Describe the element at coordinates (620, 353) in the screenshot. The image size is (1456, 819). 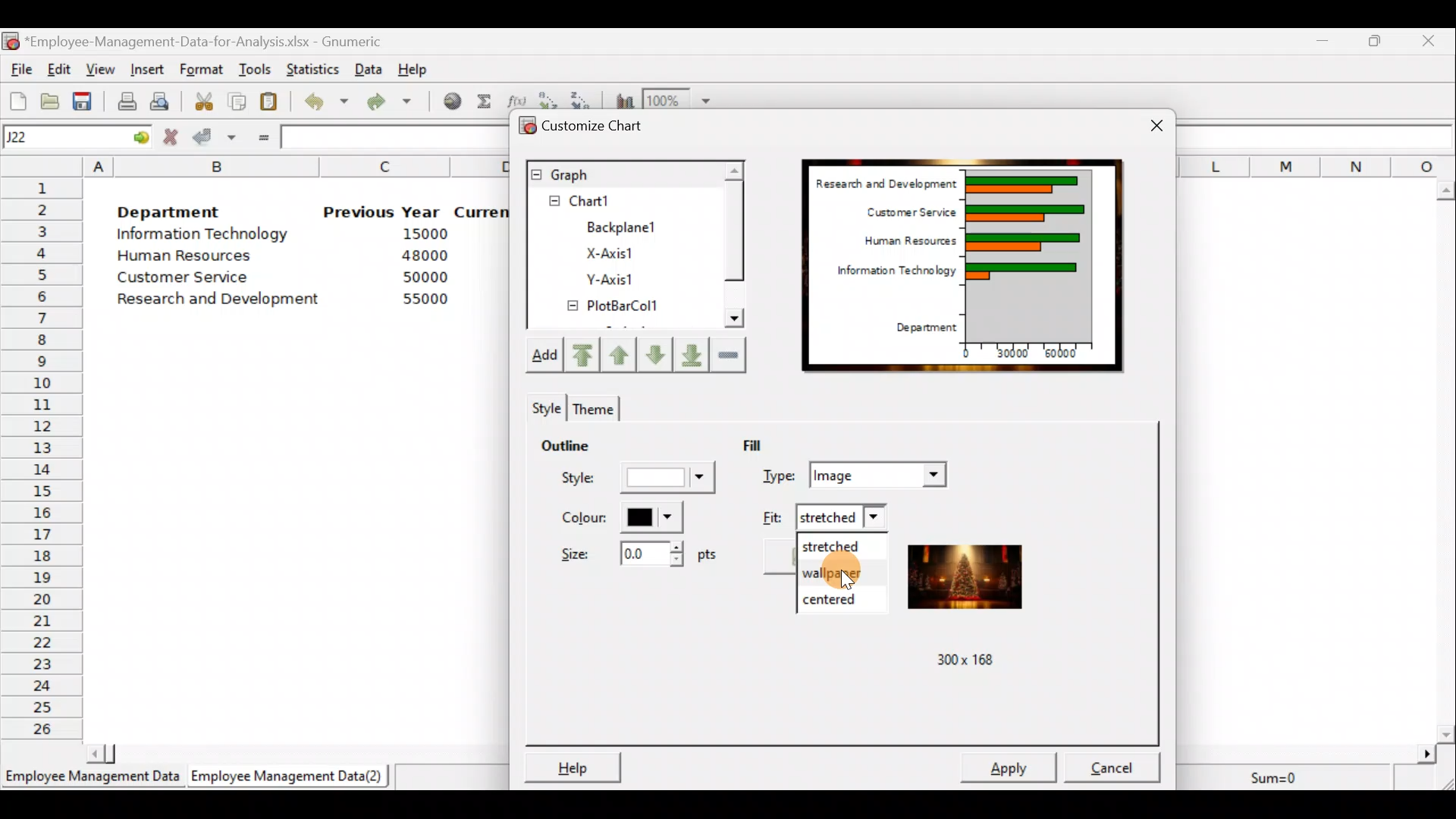
I see `Move up` at that location.